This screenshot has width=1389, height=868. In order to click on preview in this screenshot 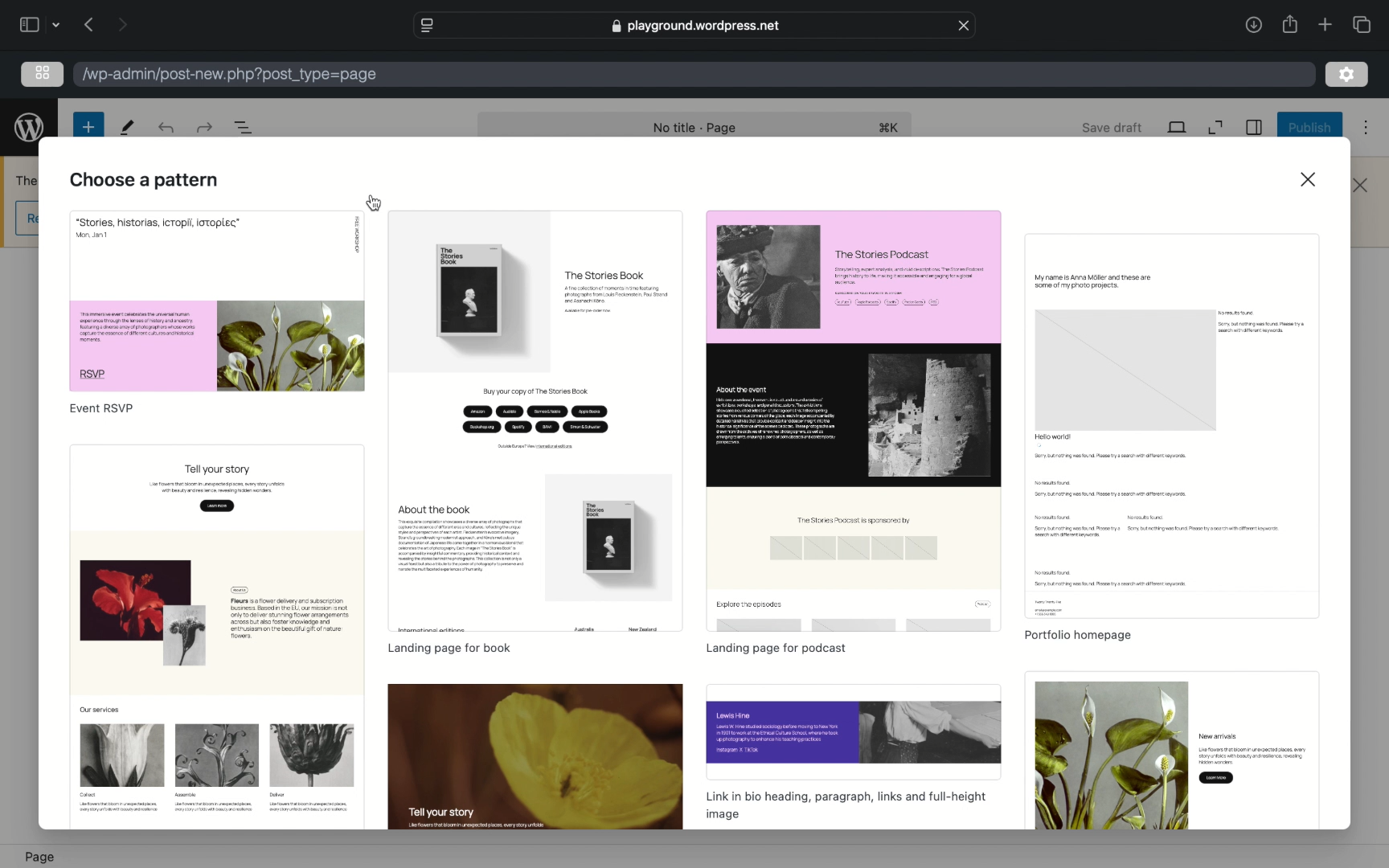, I will do `click(217, 301)`.